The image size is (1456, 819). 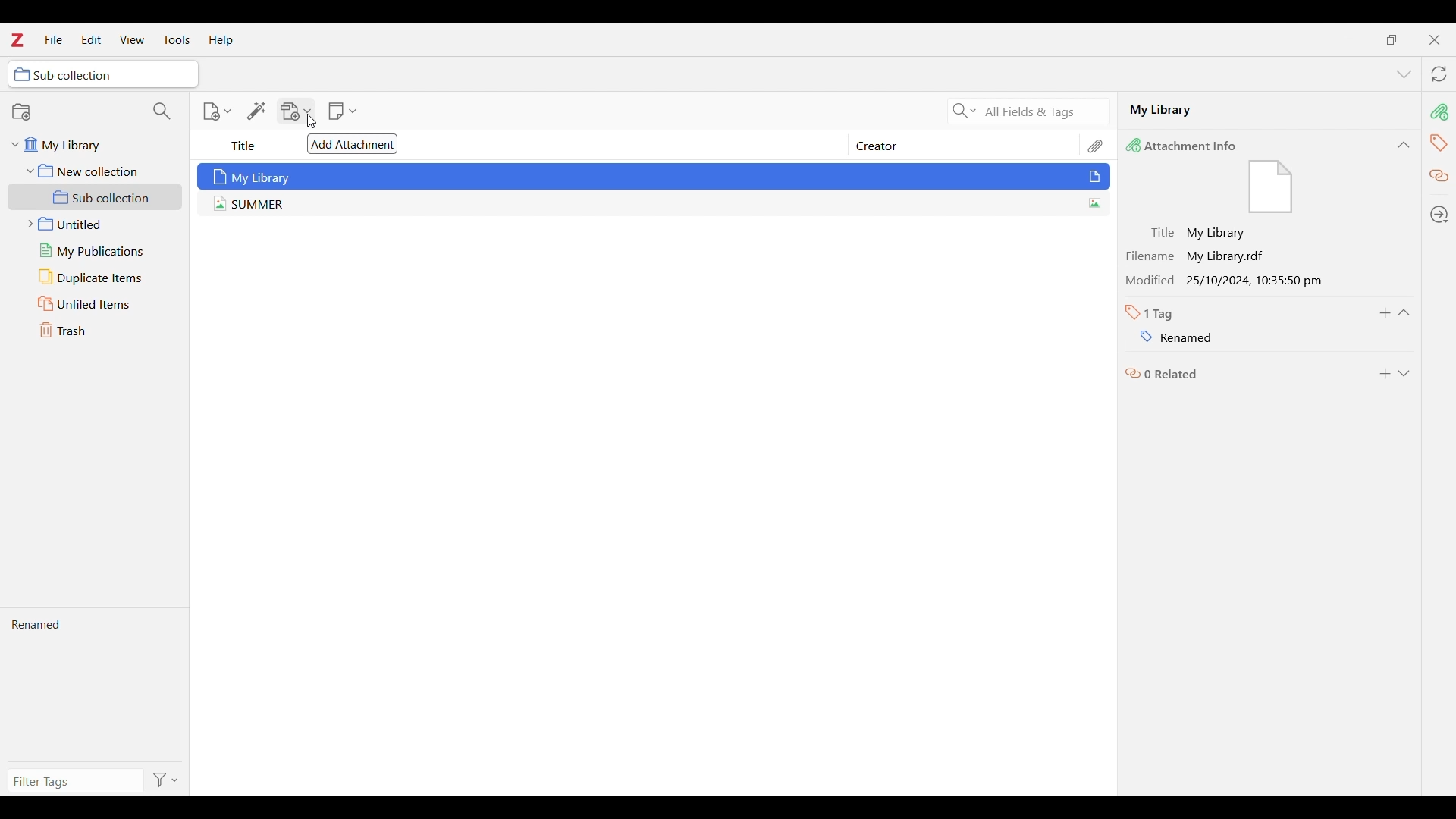 I want to click on Filter options, so click(x=166, y=779).